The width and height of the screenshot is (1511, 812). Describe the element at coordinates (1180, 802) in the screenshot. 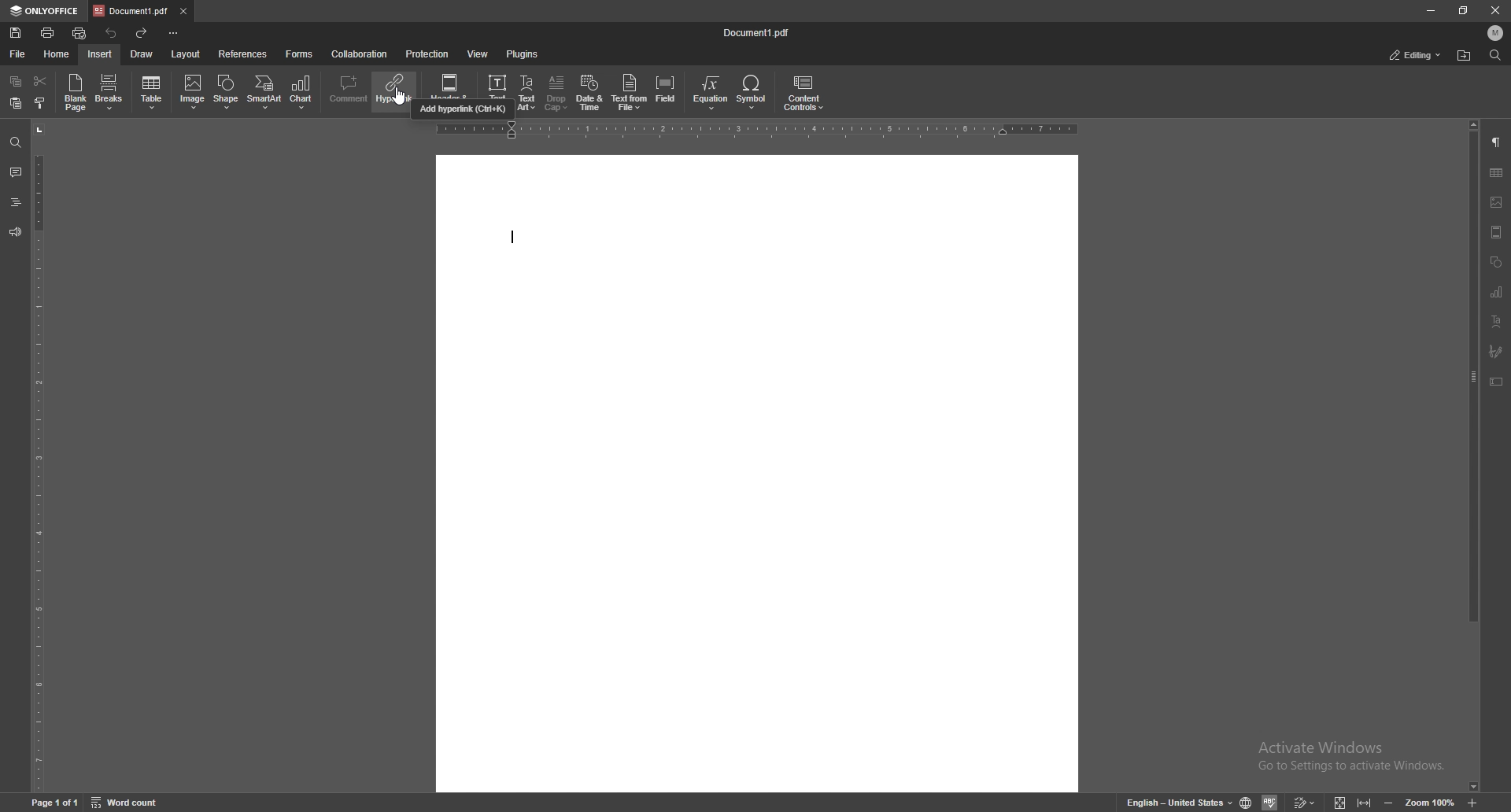

I see `change text language` at that location.